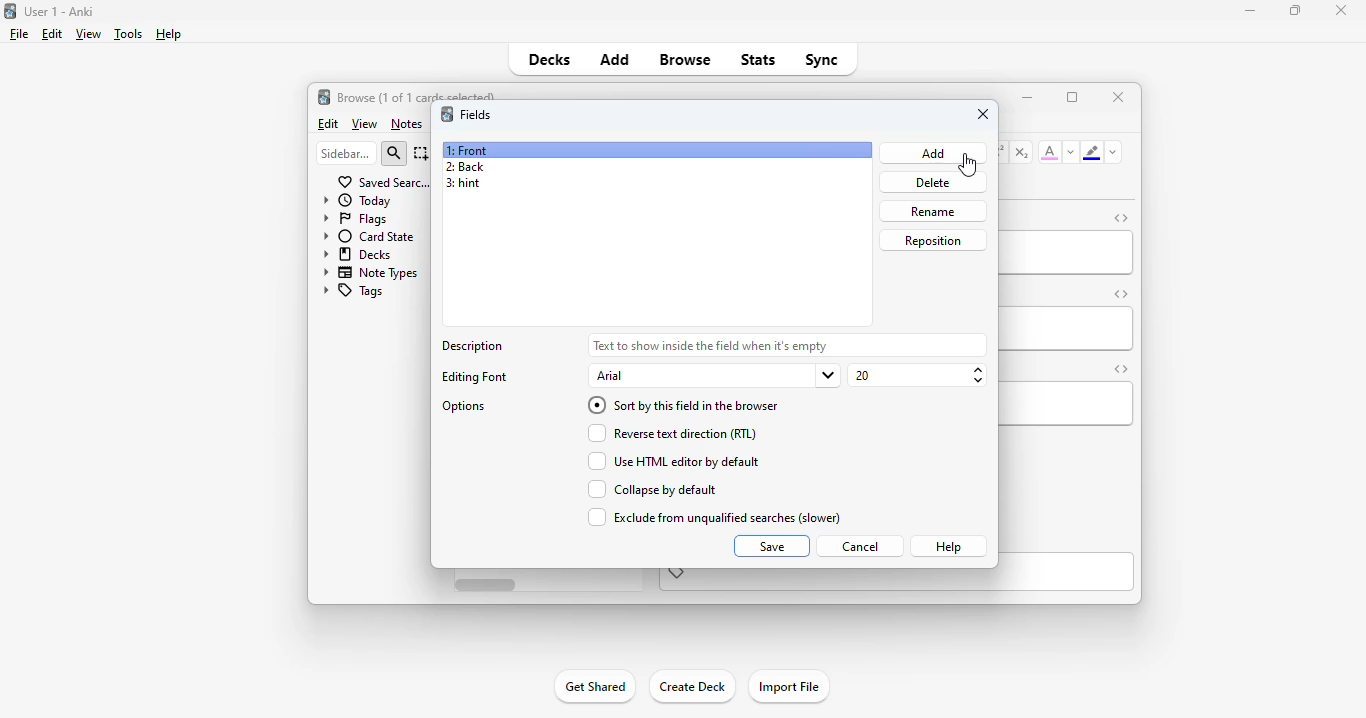 The height and width of the screenshot is (718, 1366). I want to click on view, so click(88, 33).